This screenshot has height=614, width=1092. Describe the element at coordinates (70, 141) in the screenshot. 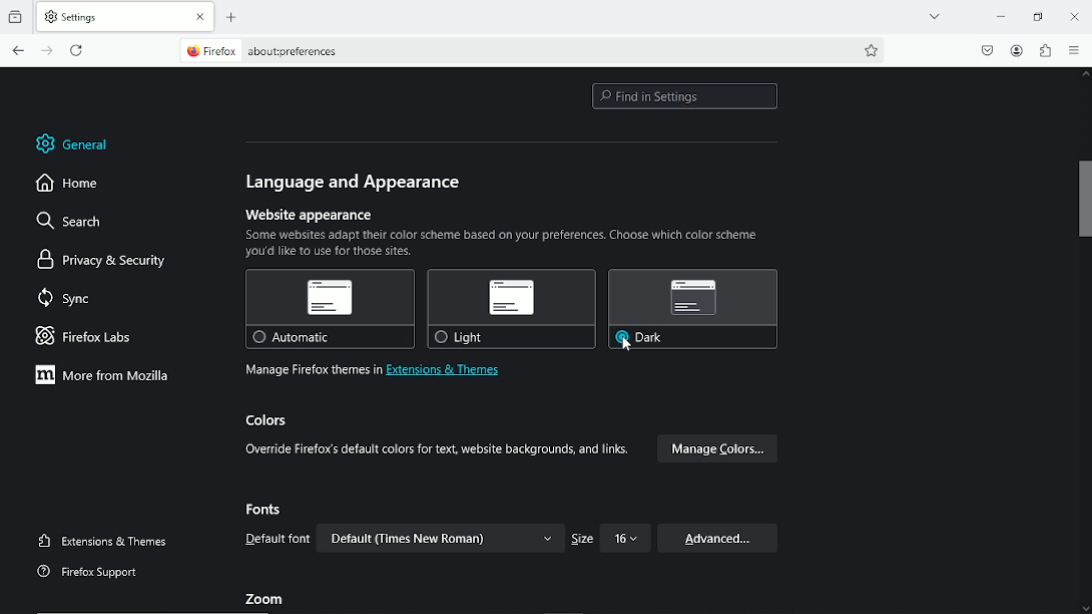

I see `general` at that location.